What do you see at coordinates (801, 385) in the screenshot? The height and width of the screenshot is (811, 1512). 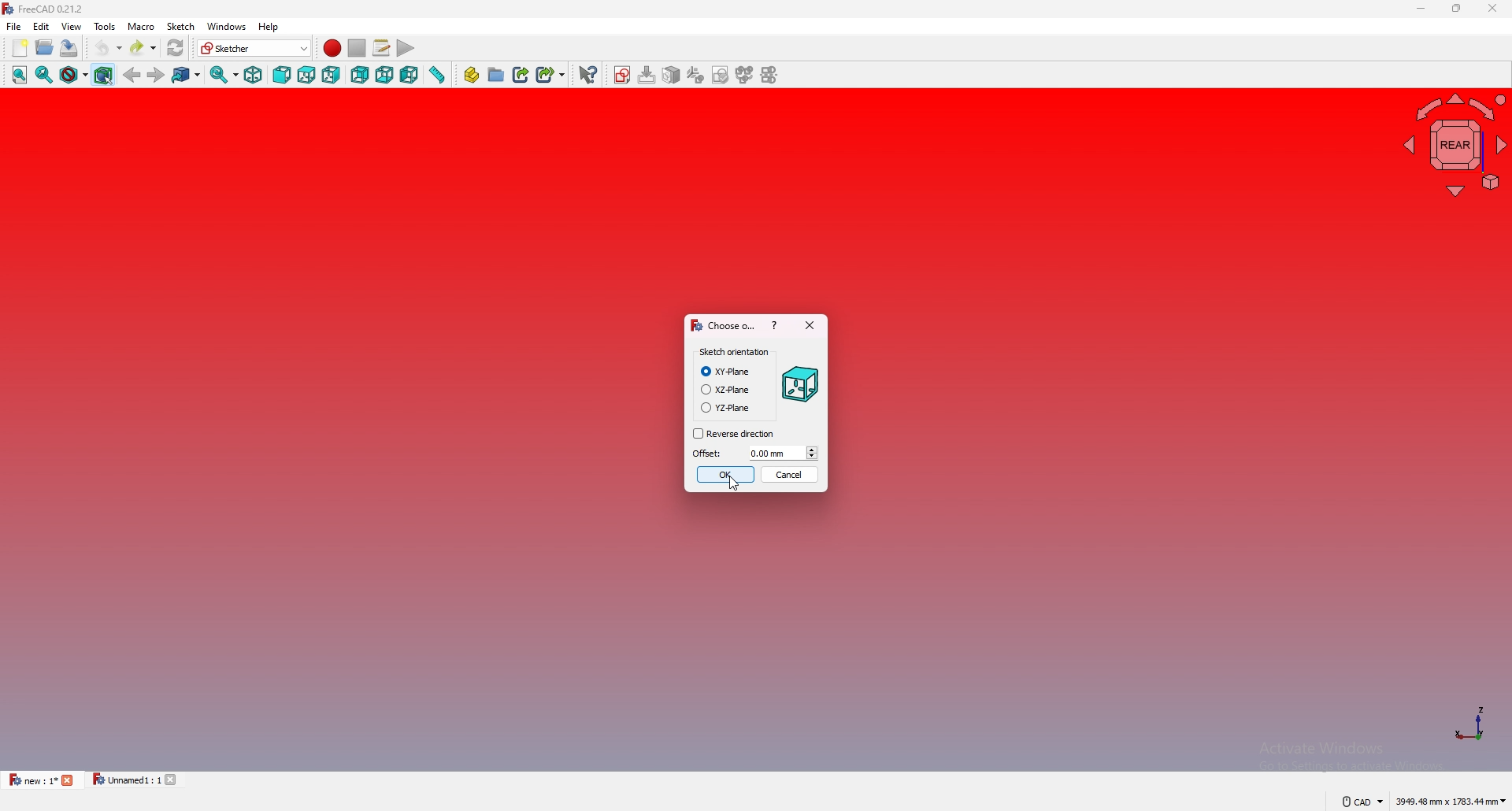 I see `Shape` at bounding box center [801, 385].